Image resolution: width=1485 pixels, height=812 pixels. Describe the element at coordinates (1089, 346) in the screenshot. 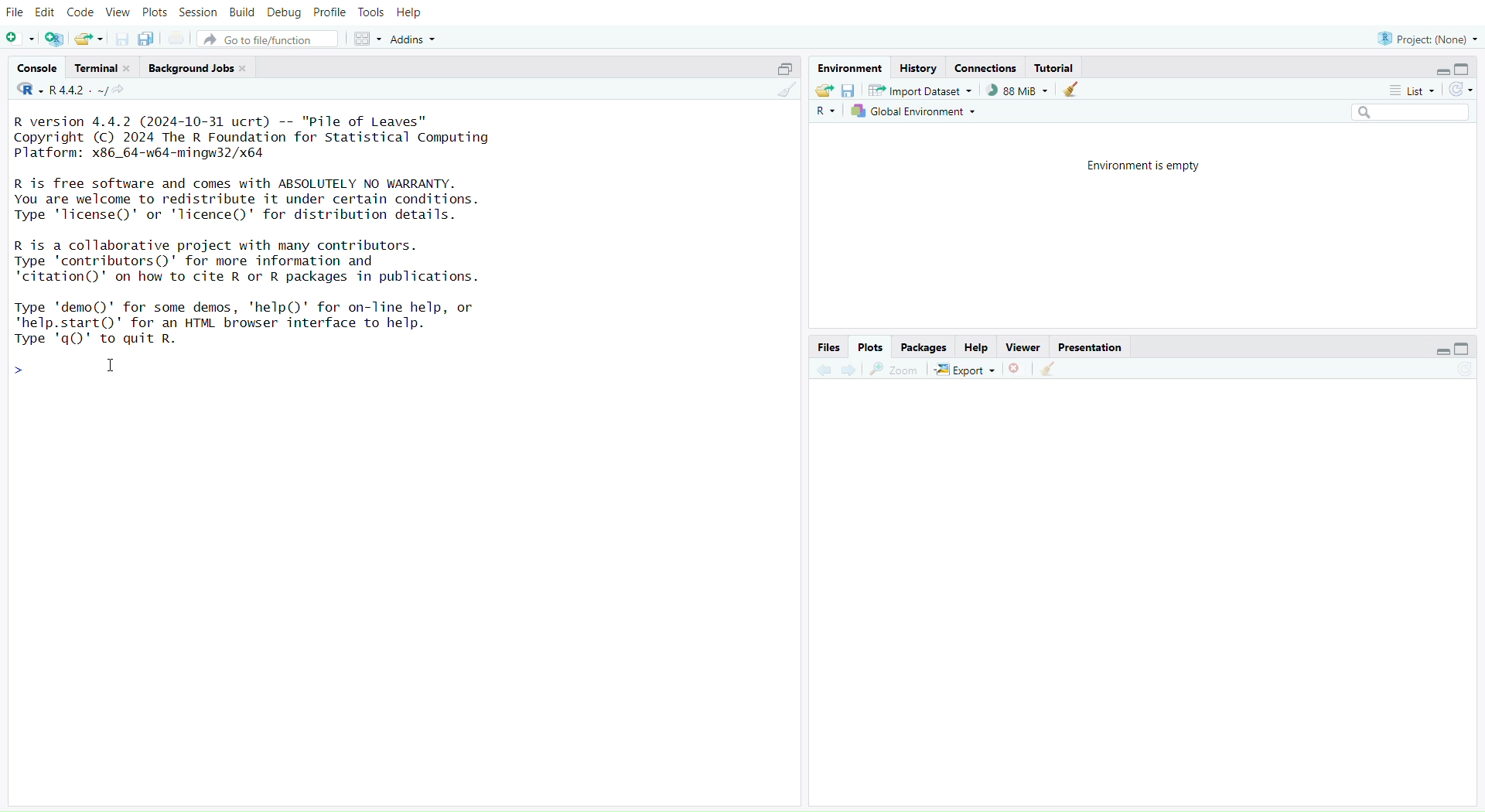

I see `presentation` at that location.